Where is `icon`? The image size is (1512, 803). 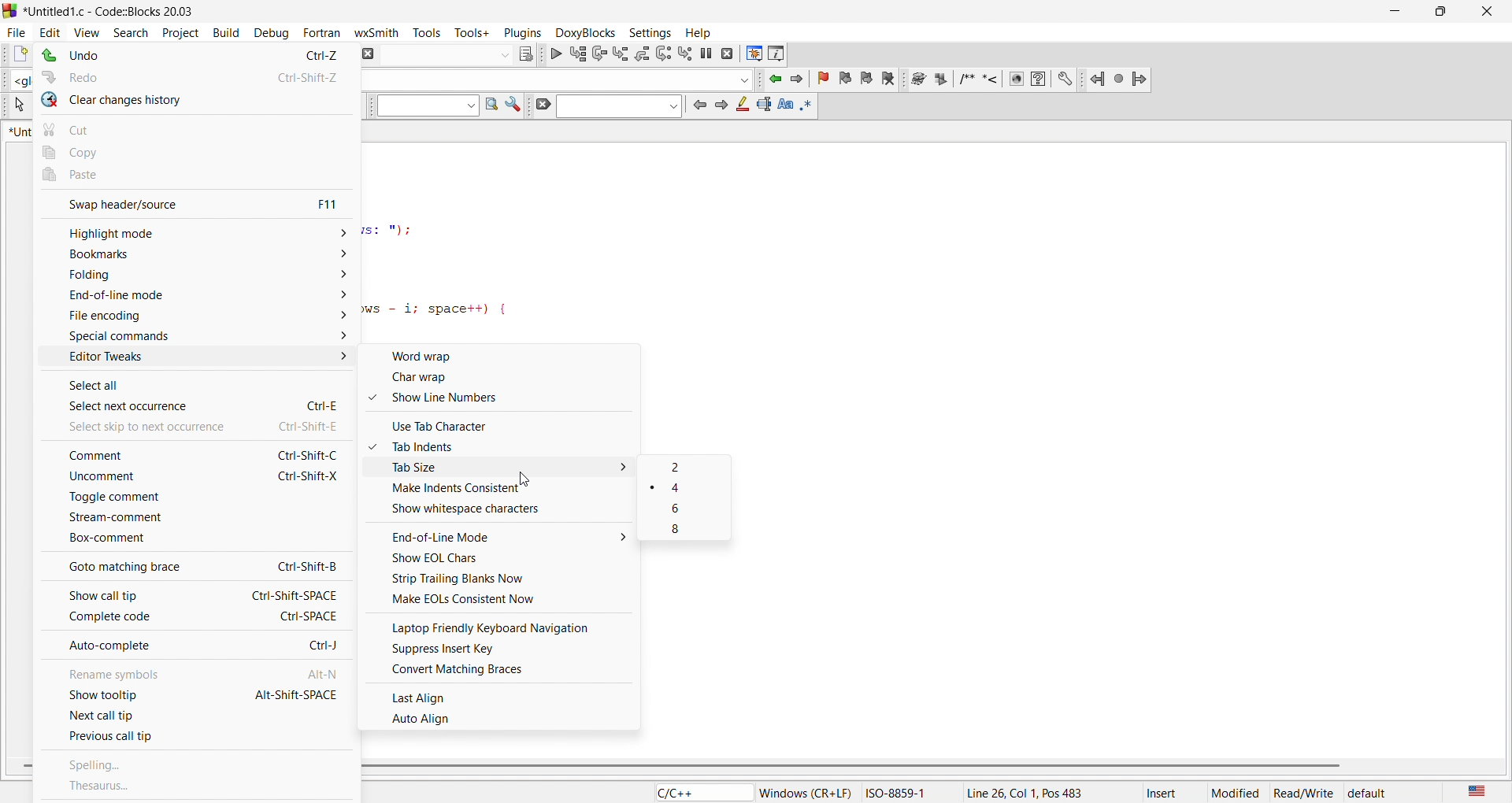 icon is located at coordinates (813, 105).